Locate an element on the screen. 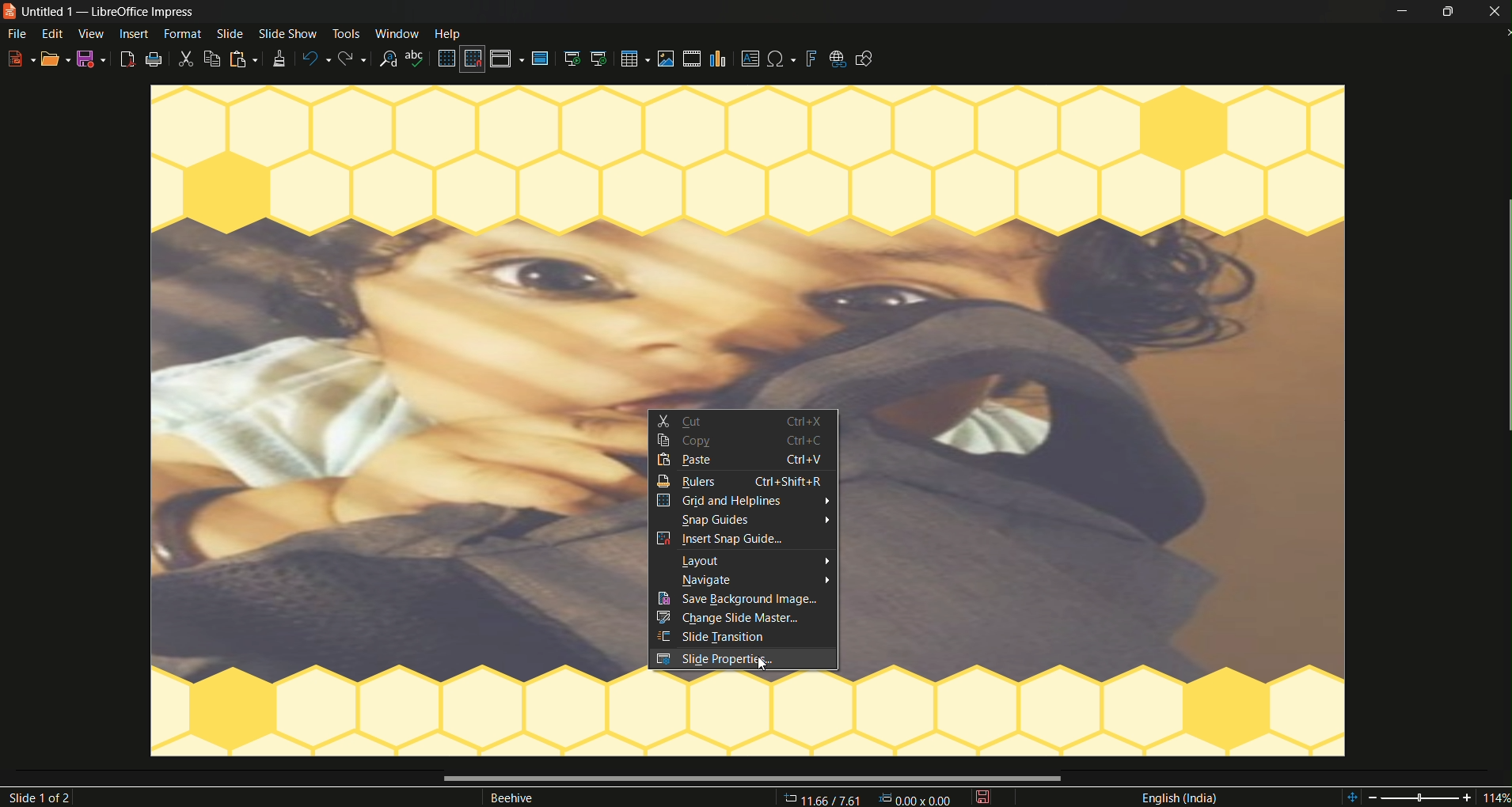 This screenshot has height=807, width=1512. save is located at coordinates (92, 60).